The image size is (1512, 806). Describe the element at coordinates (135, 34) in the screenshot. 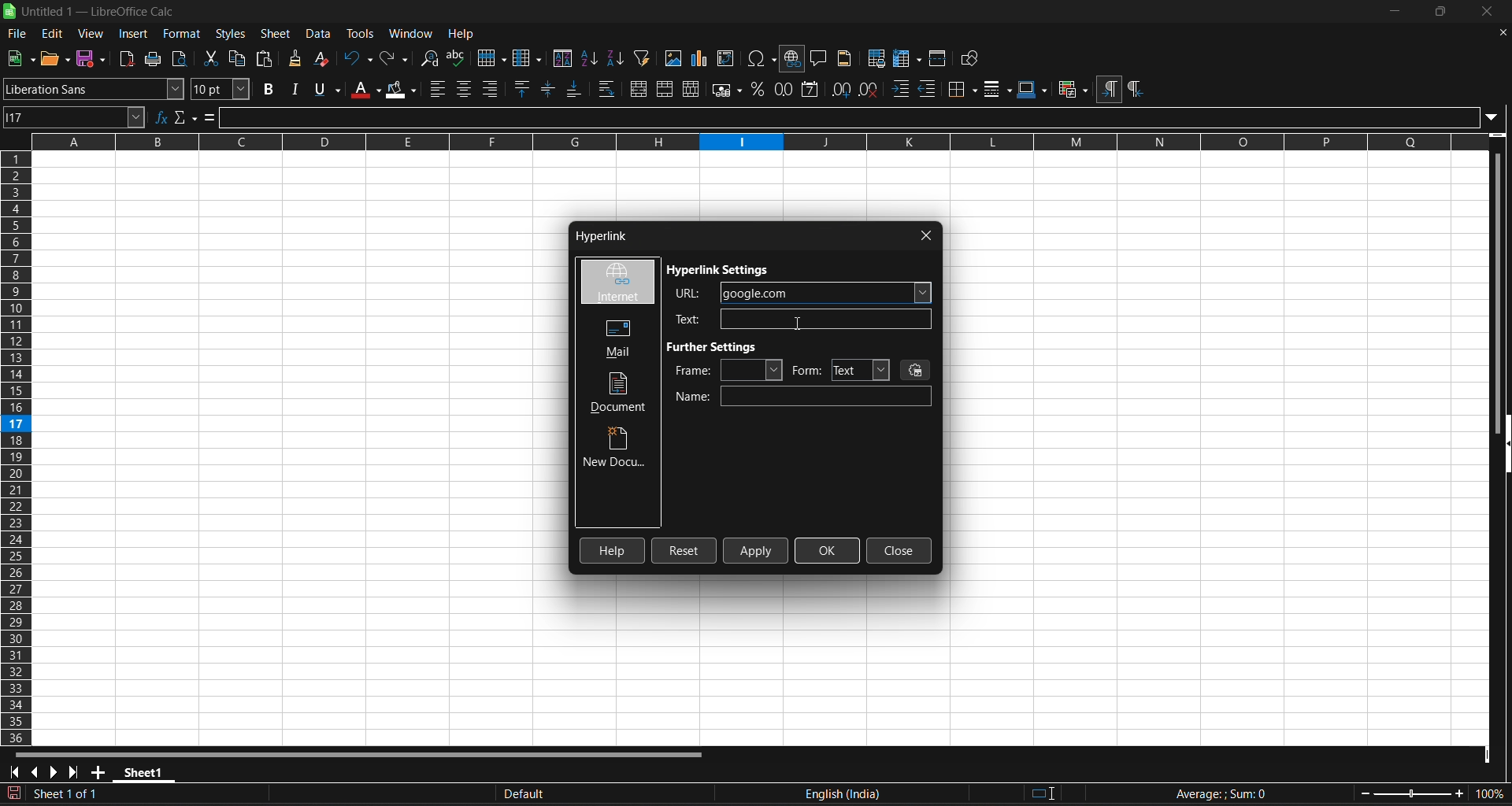

I see `insert` at that location.